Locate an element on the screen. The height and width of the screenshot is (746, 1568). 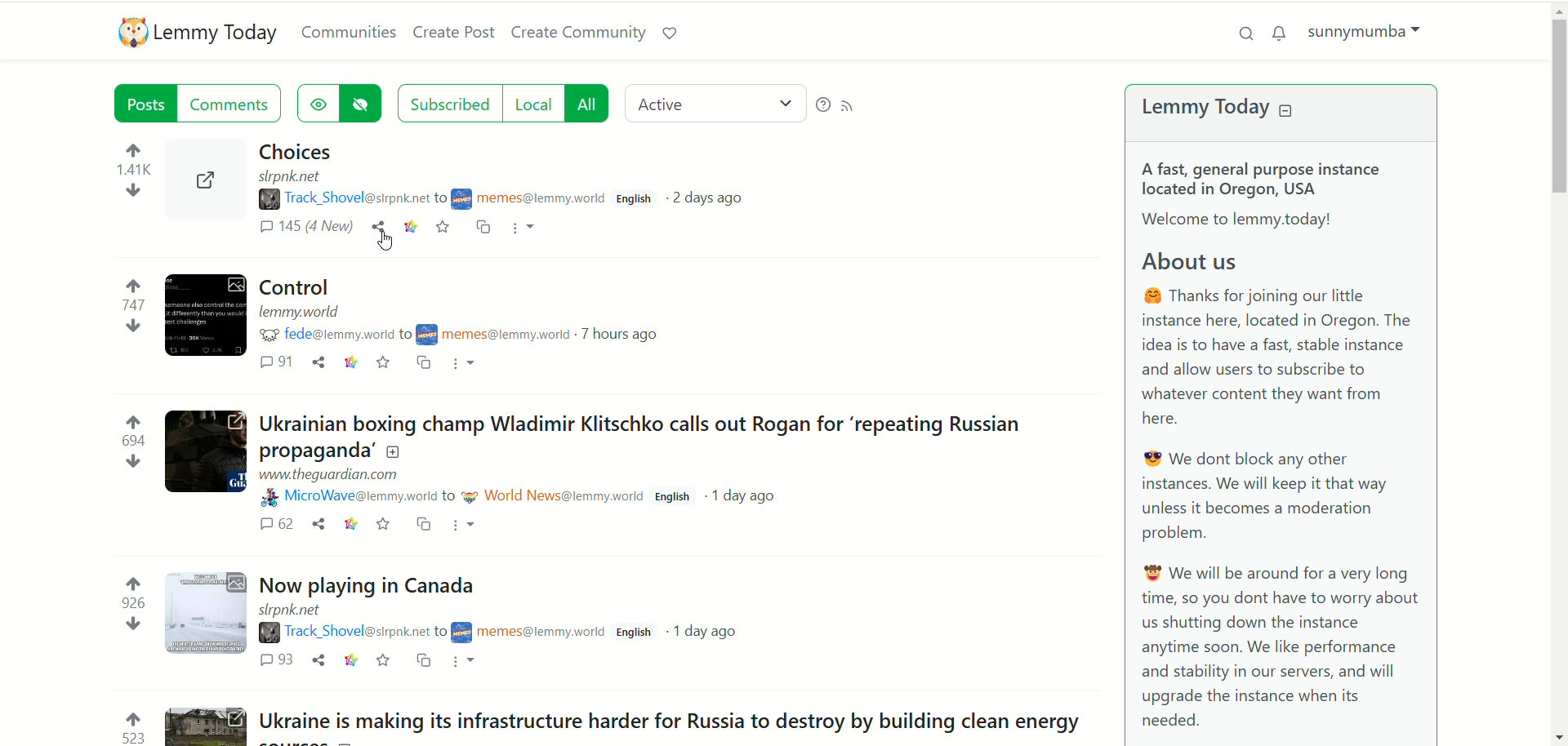
vertical scroll bar is located at coordinates (1555, 371).